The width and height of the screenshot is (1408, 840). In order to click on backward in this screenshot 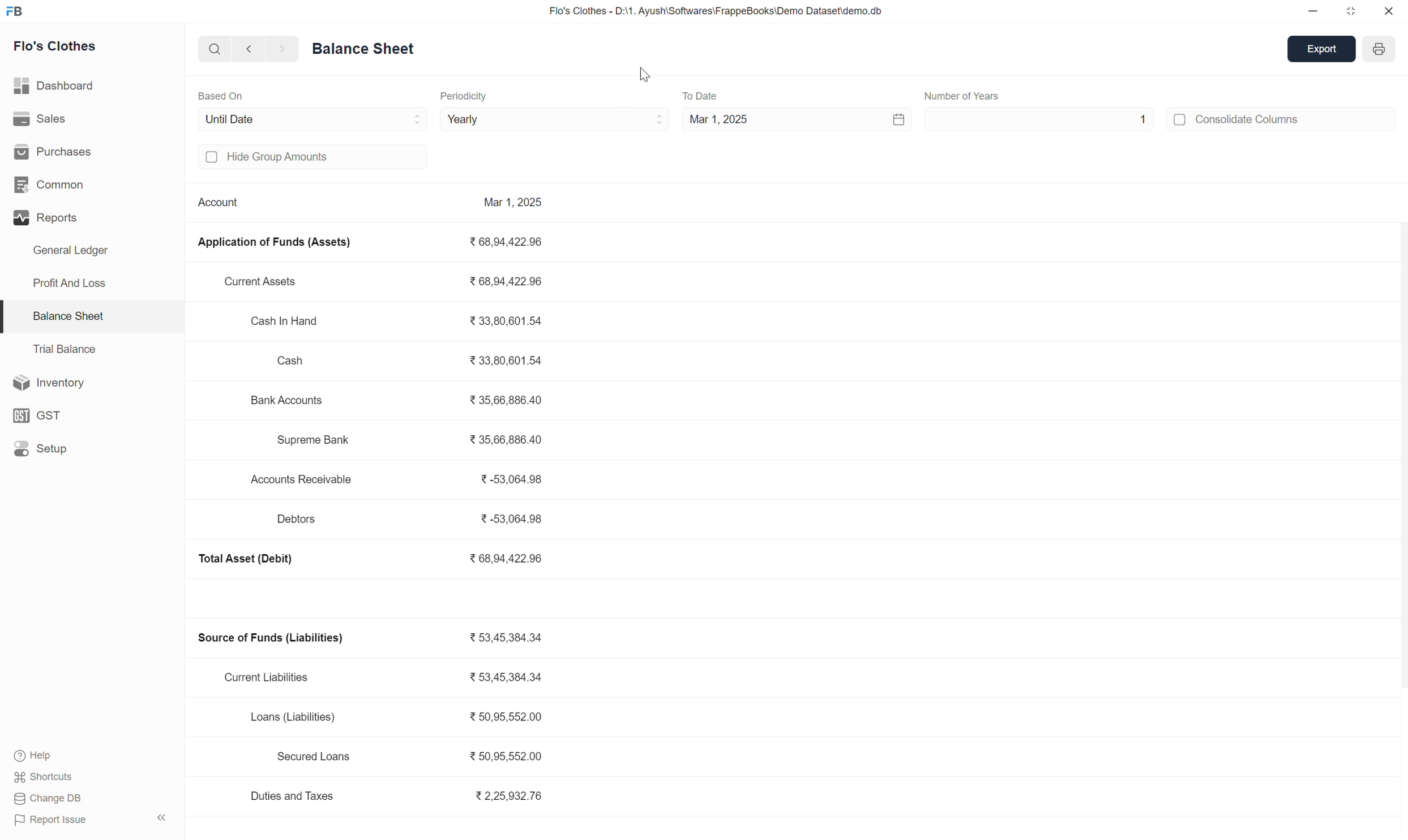, I will do `click(246, 49)`.